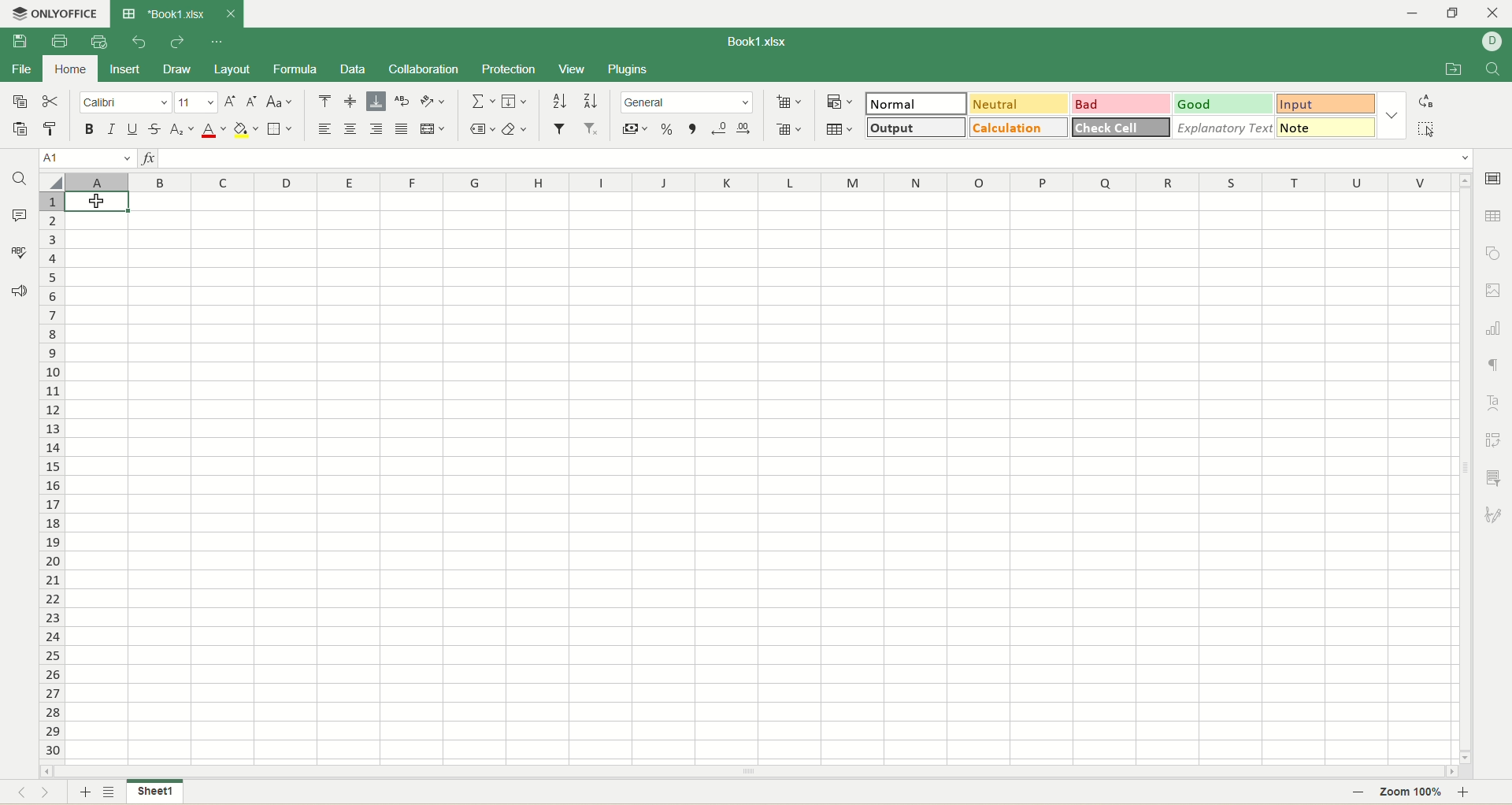 The width and height of the screenshot is (1512, 805). Describe the element at coordinates (176, 70) in the screenshot. I see `draw` at that location.